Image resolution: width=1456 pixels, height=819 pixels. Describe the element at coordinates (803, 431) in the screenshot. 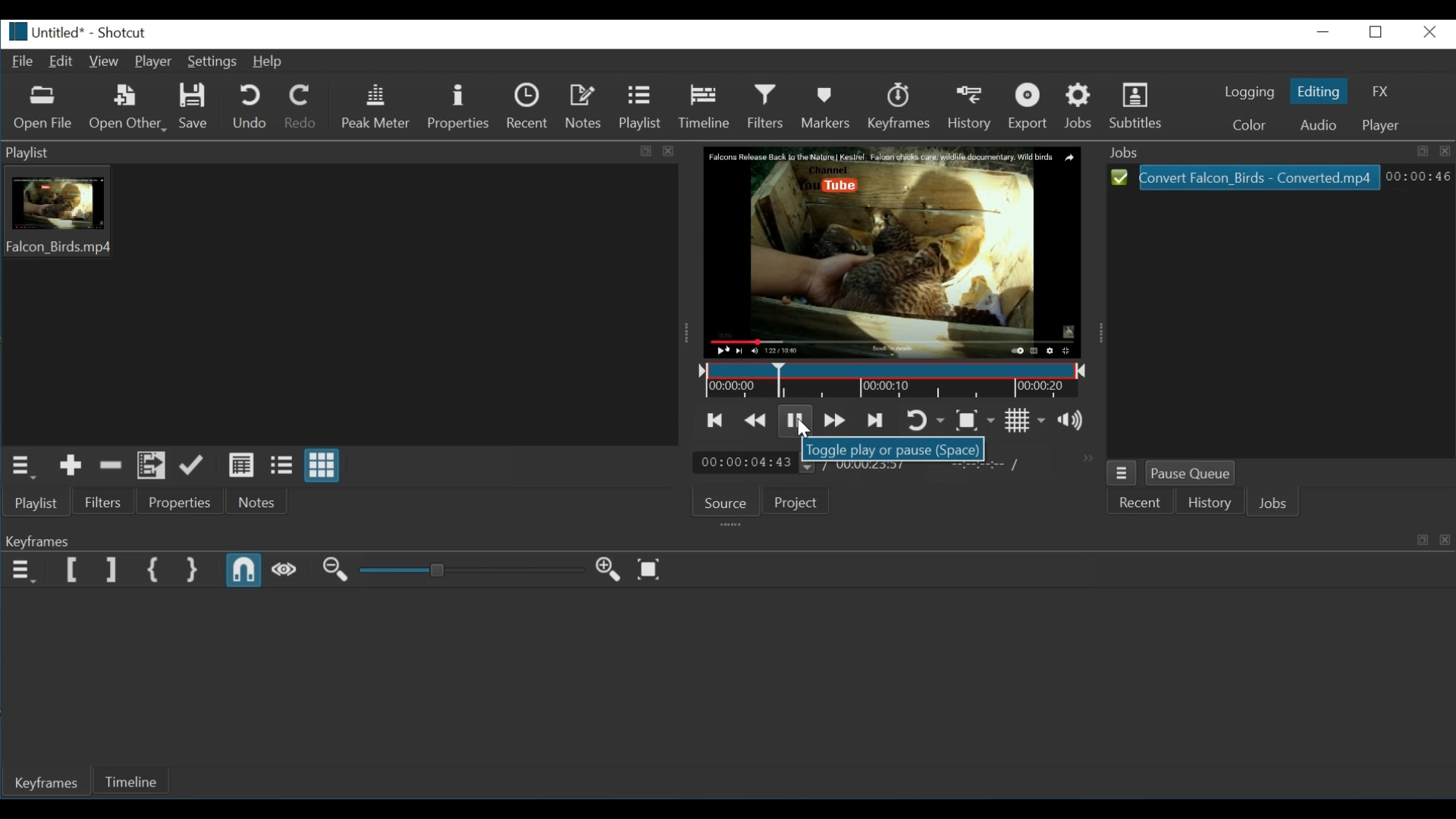

I see `Cursor` at that location.